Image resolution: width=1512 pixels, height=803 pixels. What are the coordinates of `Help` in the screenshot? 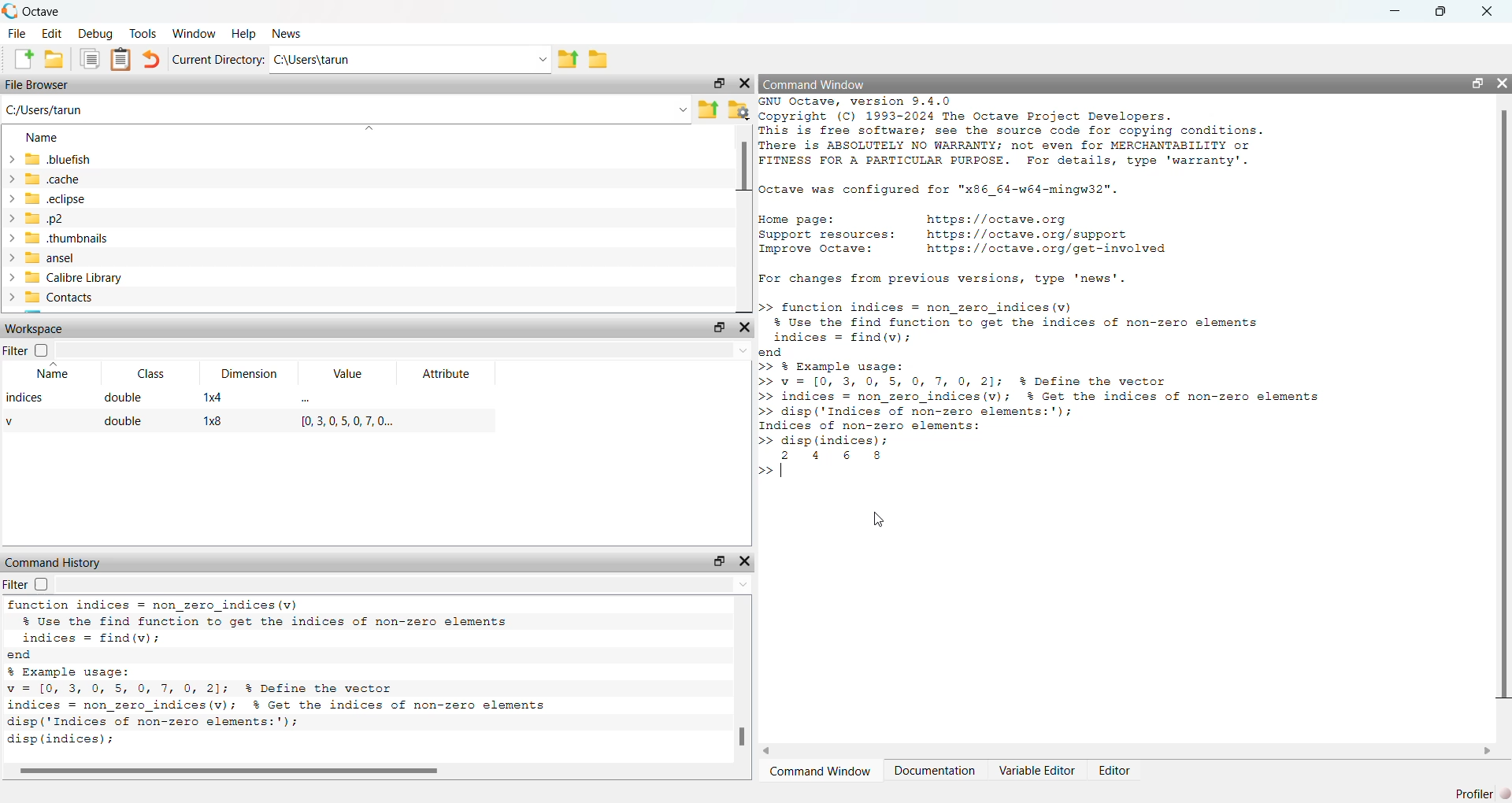 It's located at (243, 35).